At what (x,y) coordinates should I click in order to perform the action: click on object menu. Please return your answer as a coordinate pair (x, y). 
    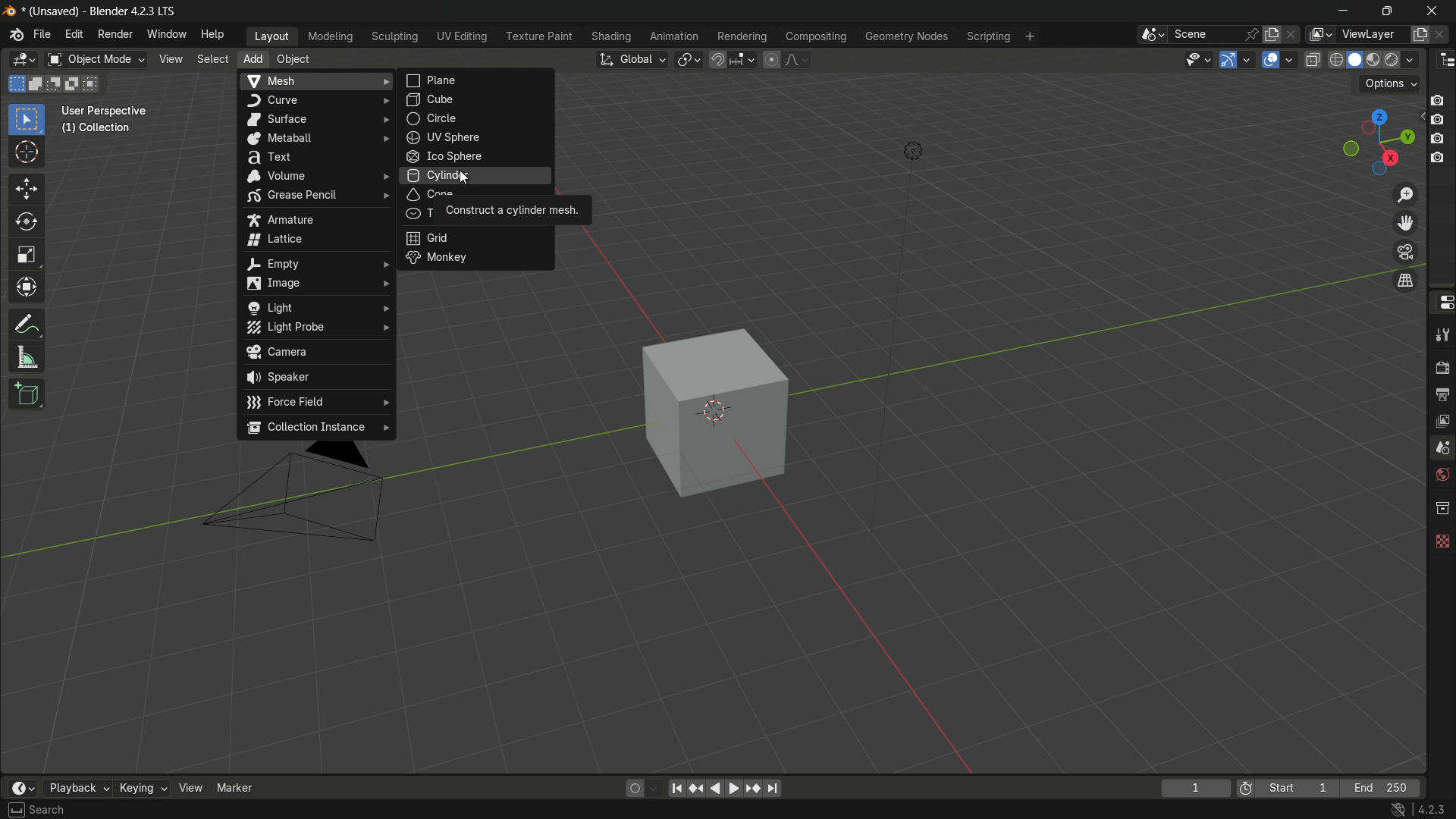
    Looking at the image, I should click on (295, 60).